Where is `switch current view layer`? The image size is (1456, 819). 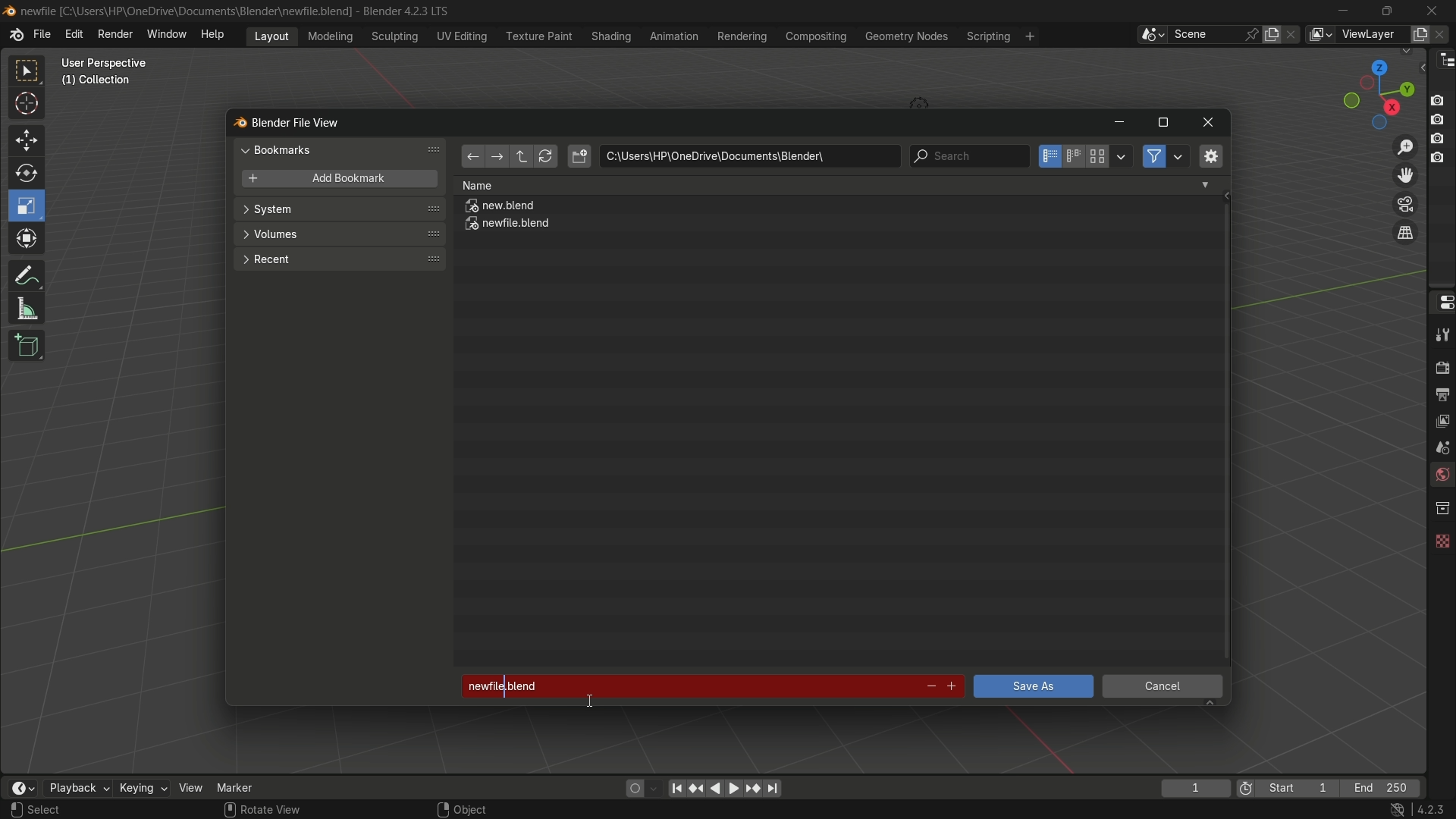
switch current view layer is located at coordinates (1405, 234).